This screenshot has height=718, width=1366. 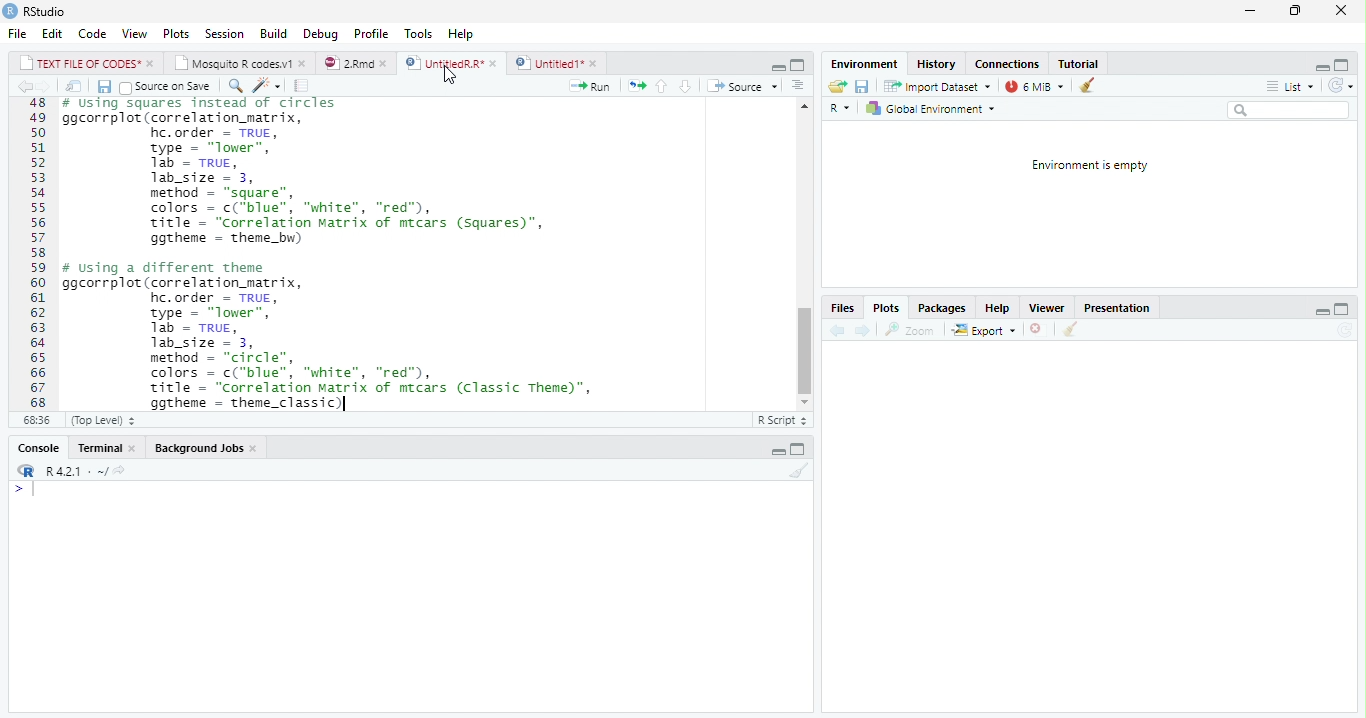 I want to click on Environment is empty, so click(x=1089, y=166).